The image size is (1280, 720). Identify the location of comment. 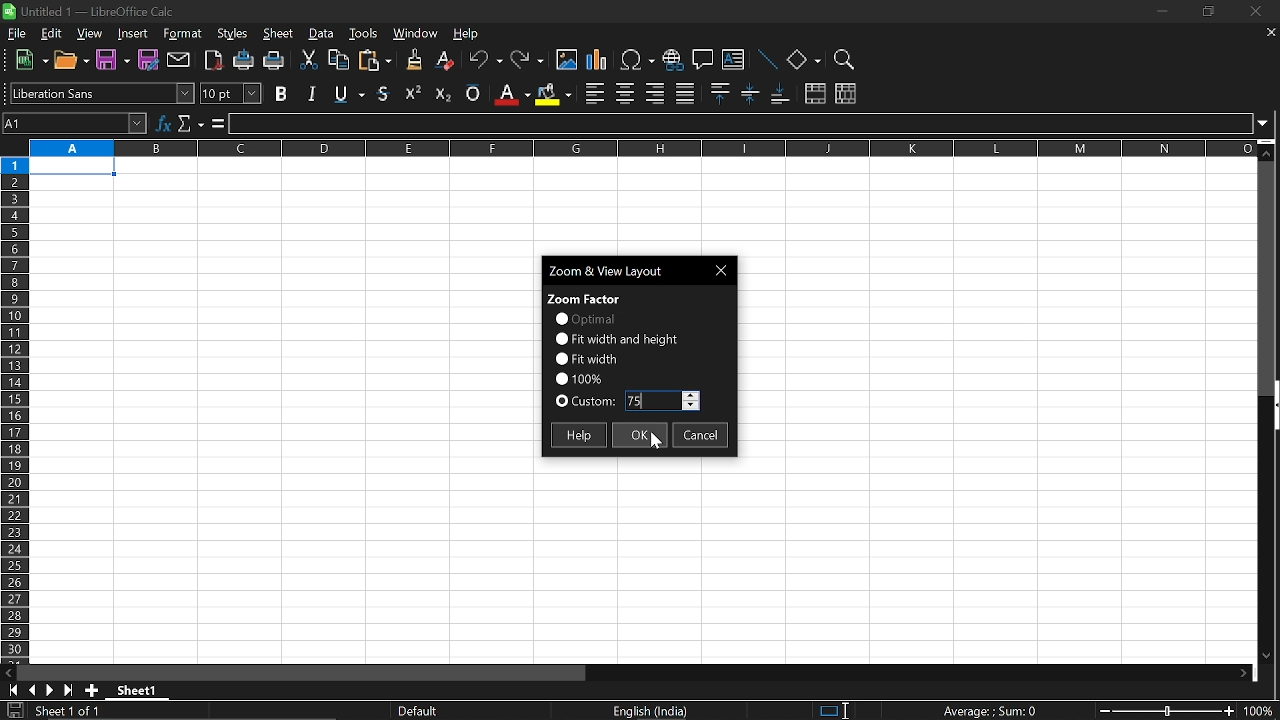
(703, 62).